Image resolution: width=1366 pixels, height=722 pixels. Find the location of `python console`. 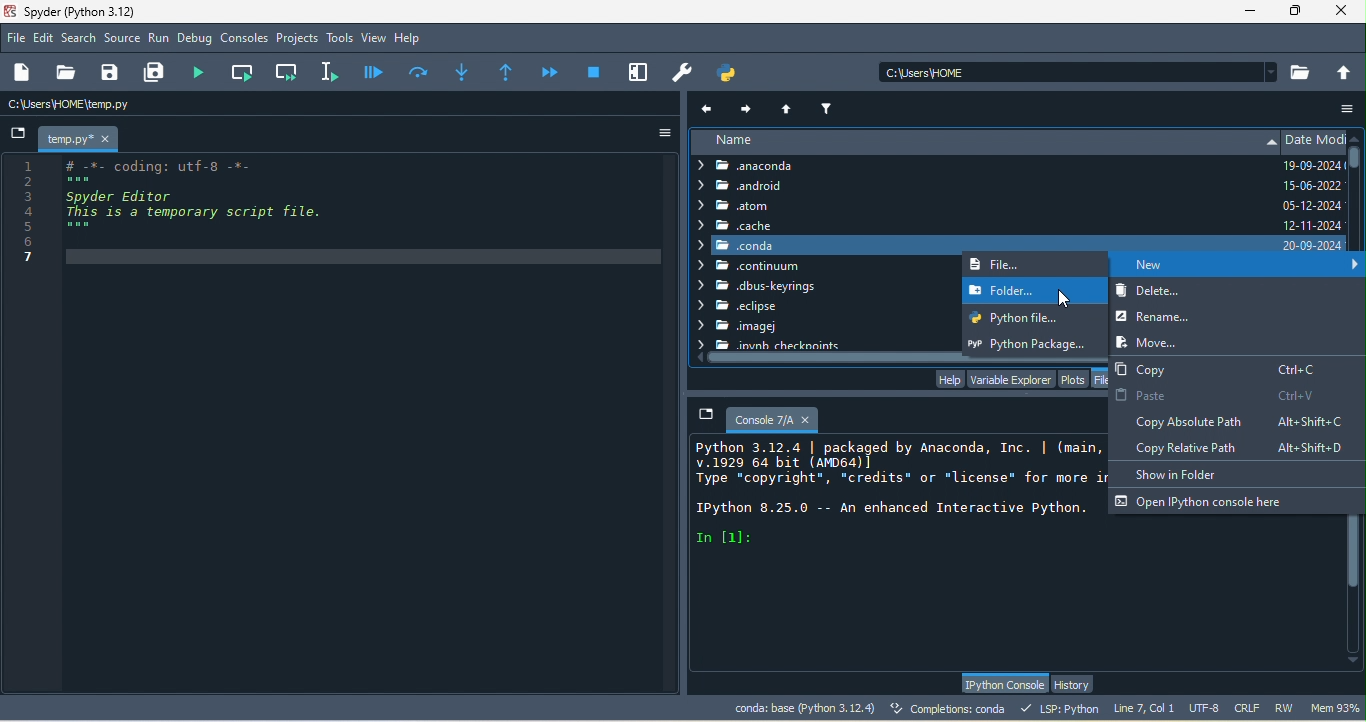

python console is located at coordinates (1003, 684).